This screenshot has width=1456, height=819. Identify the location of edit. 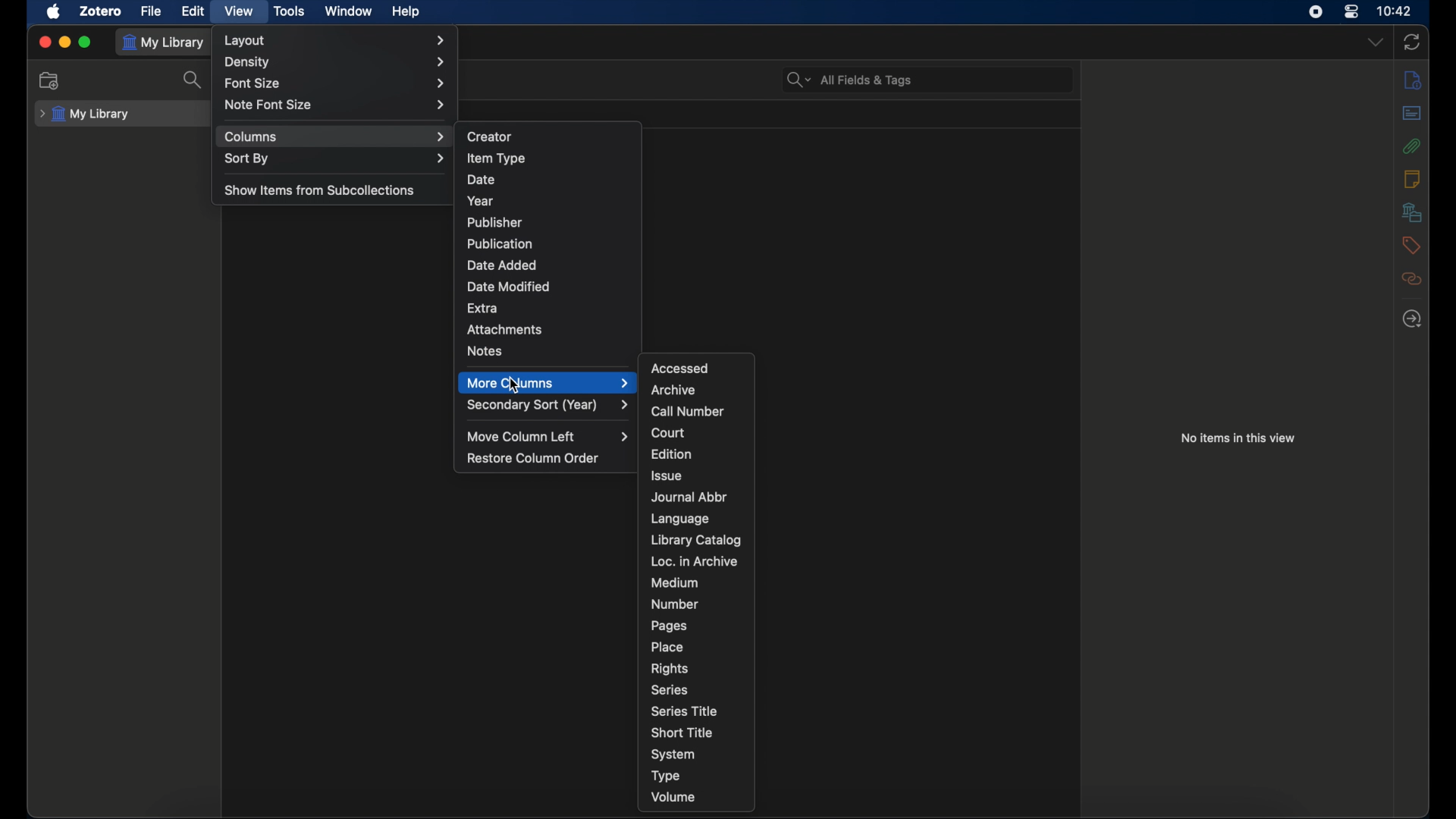
(192, 11).